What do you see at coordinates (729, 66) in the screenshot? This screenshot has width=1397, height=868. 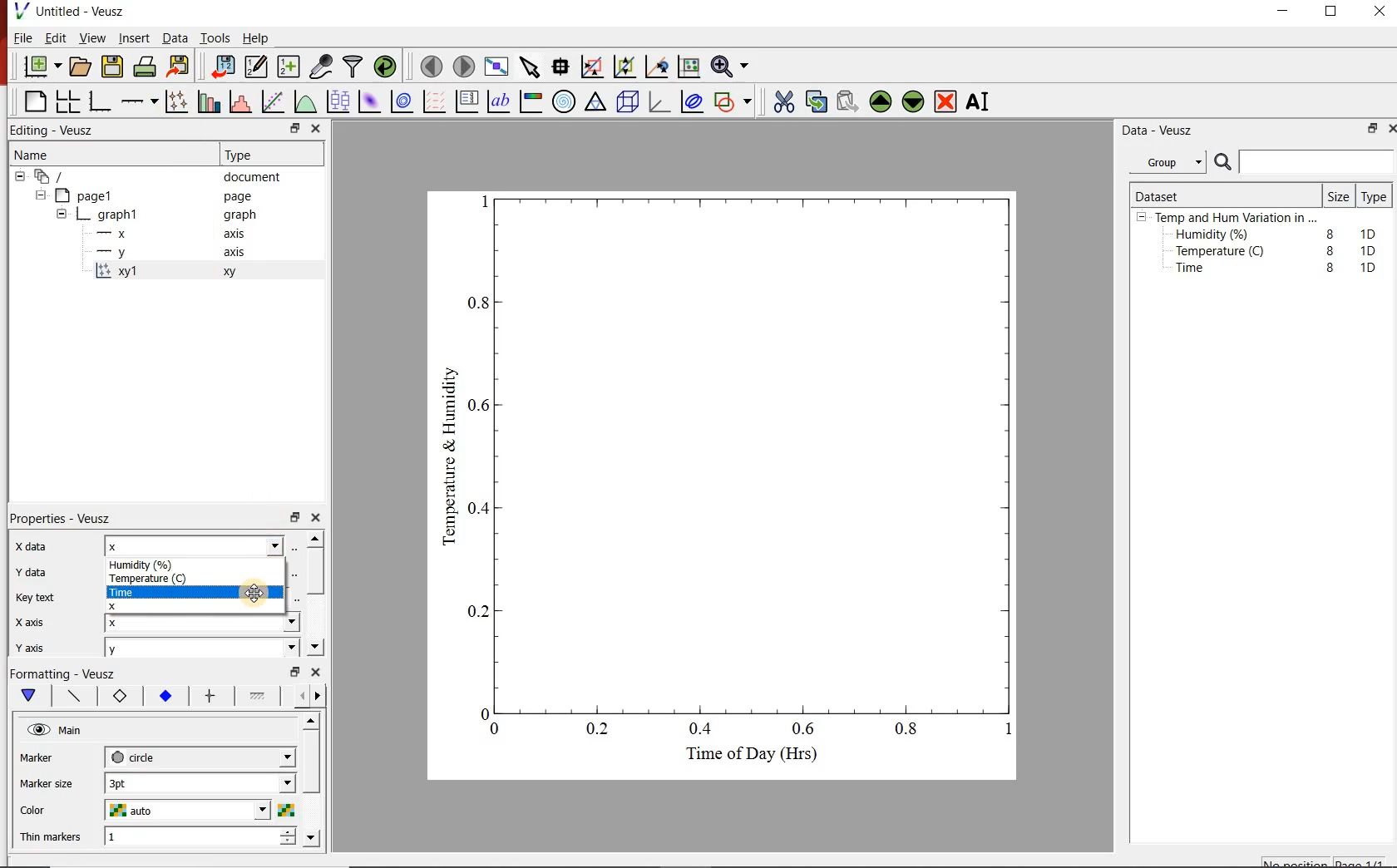 I see `Zoom functions menu` at bounding box center [729, 66].